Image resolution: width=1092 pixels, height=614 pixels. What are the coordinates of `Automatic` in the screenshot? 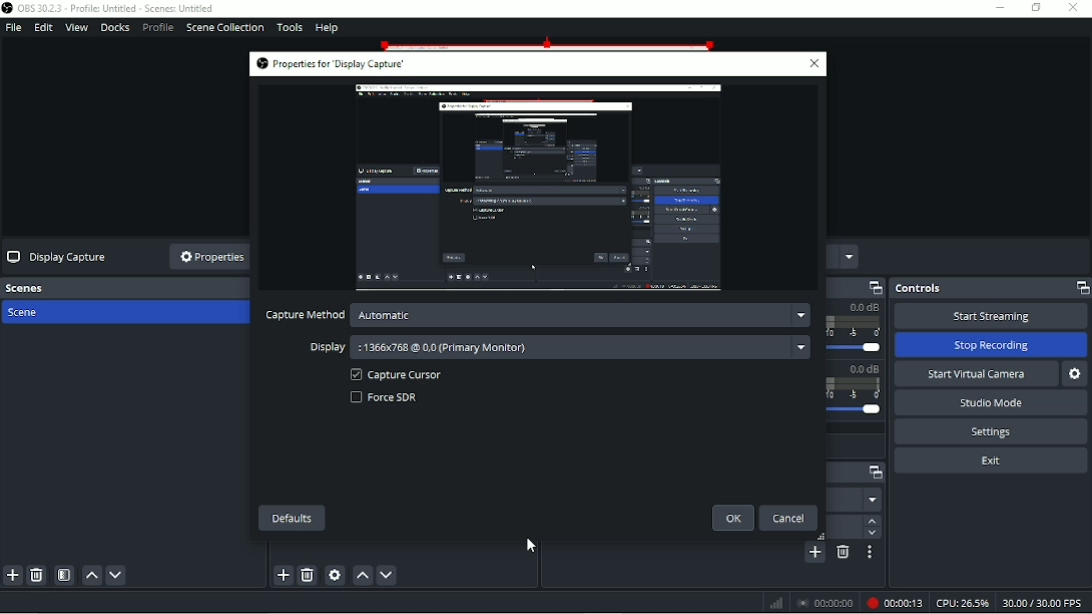 It's located at (578, 315).